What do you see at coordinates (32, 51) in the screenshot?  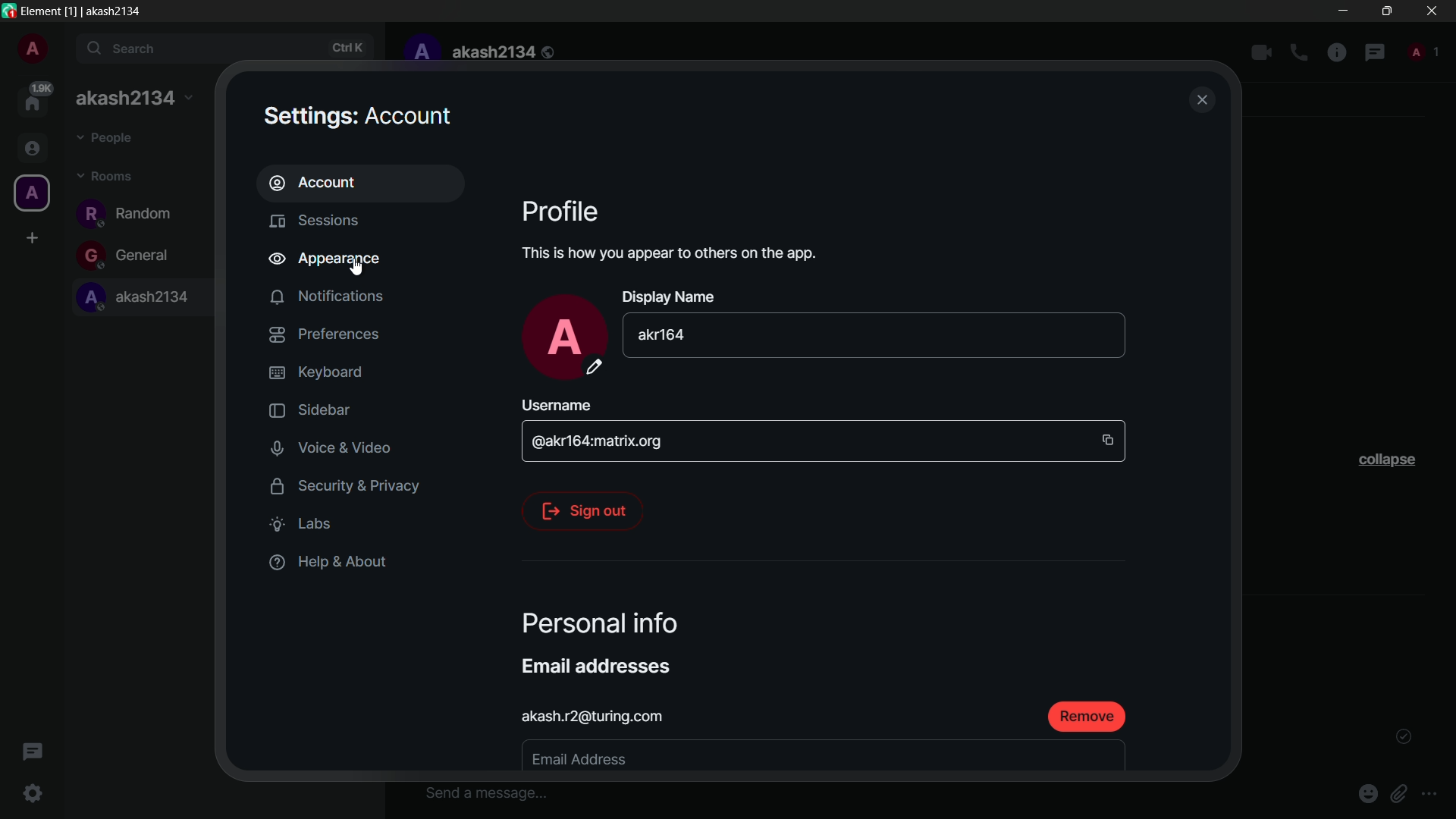 I see `profile` at bounding box center [32, 51].